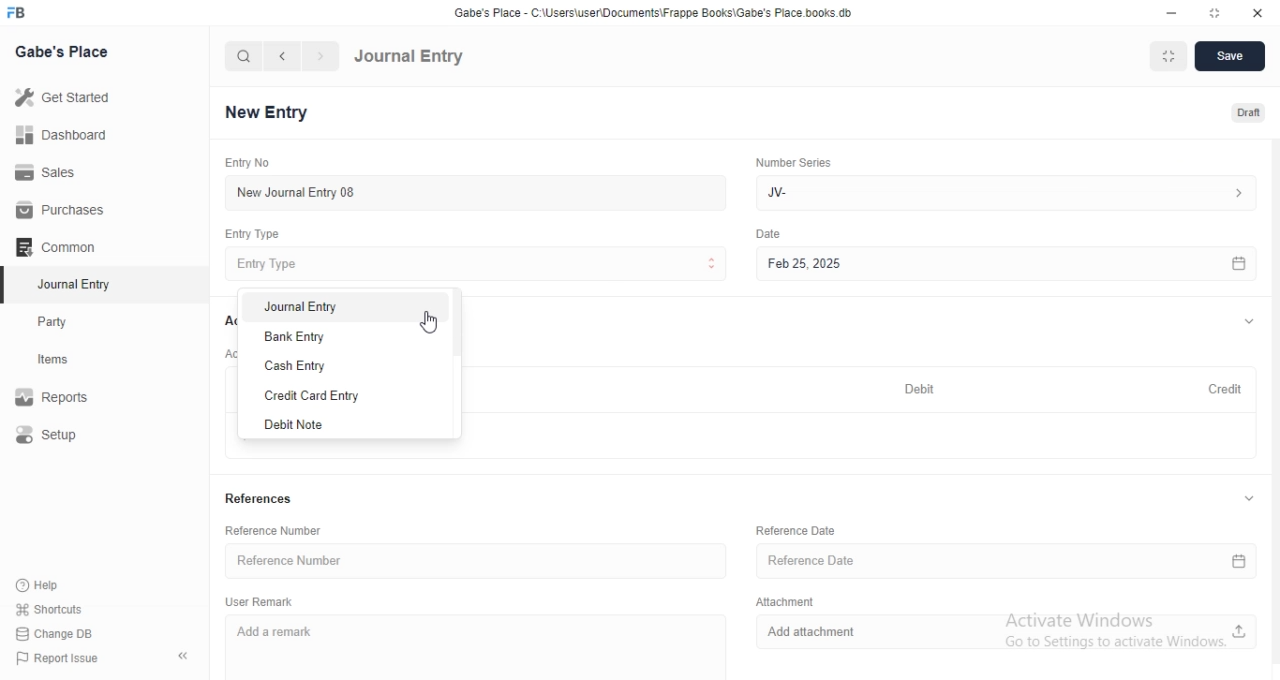 Image resolution: width=1280 pixels, height=680 pixels. I want to click on Reference Number, so click(479, 559).